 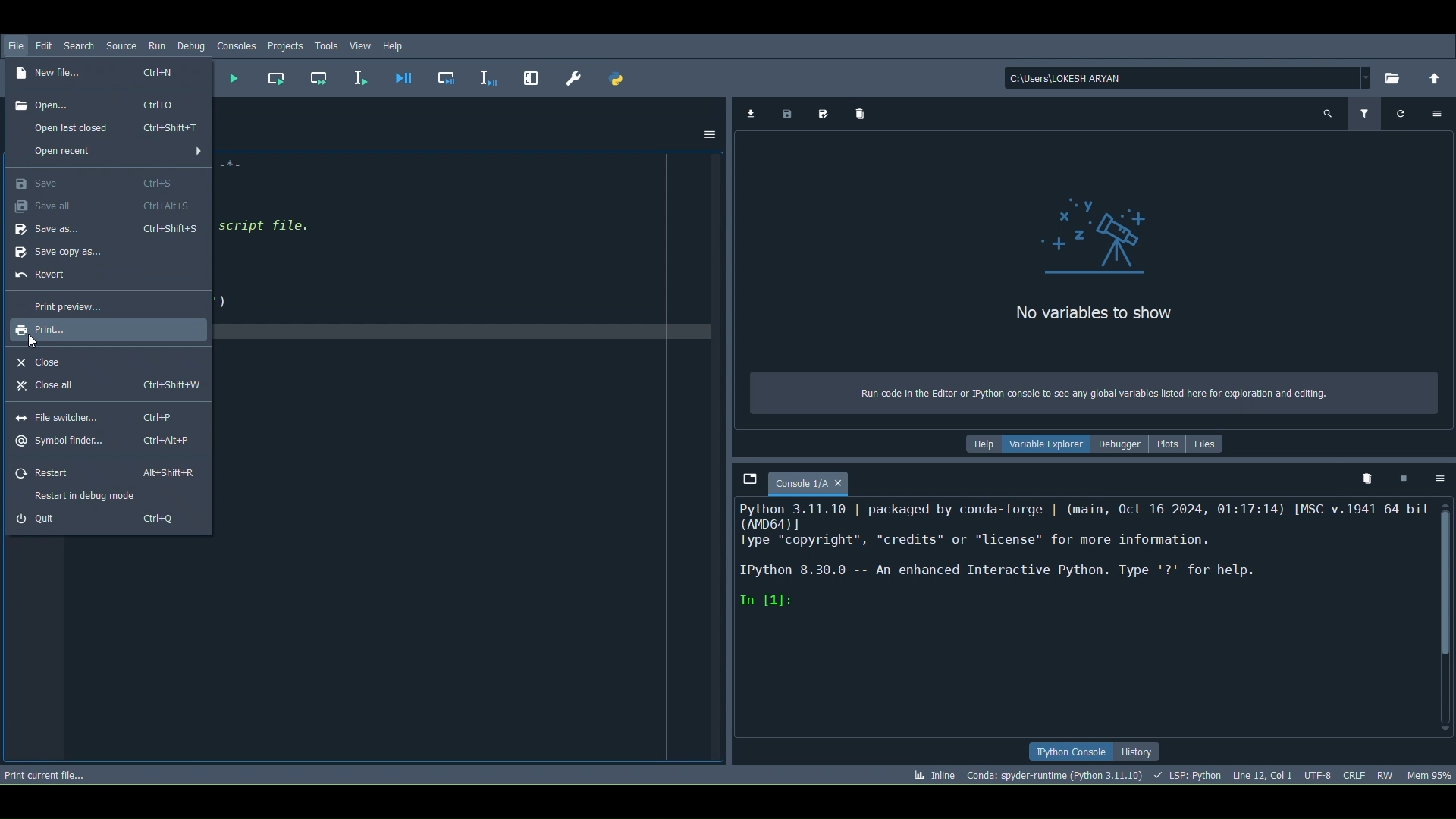 I want to click on Run file (F5), so click(x=233, y=78).